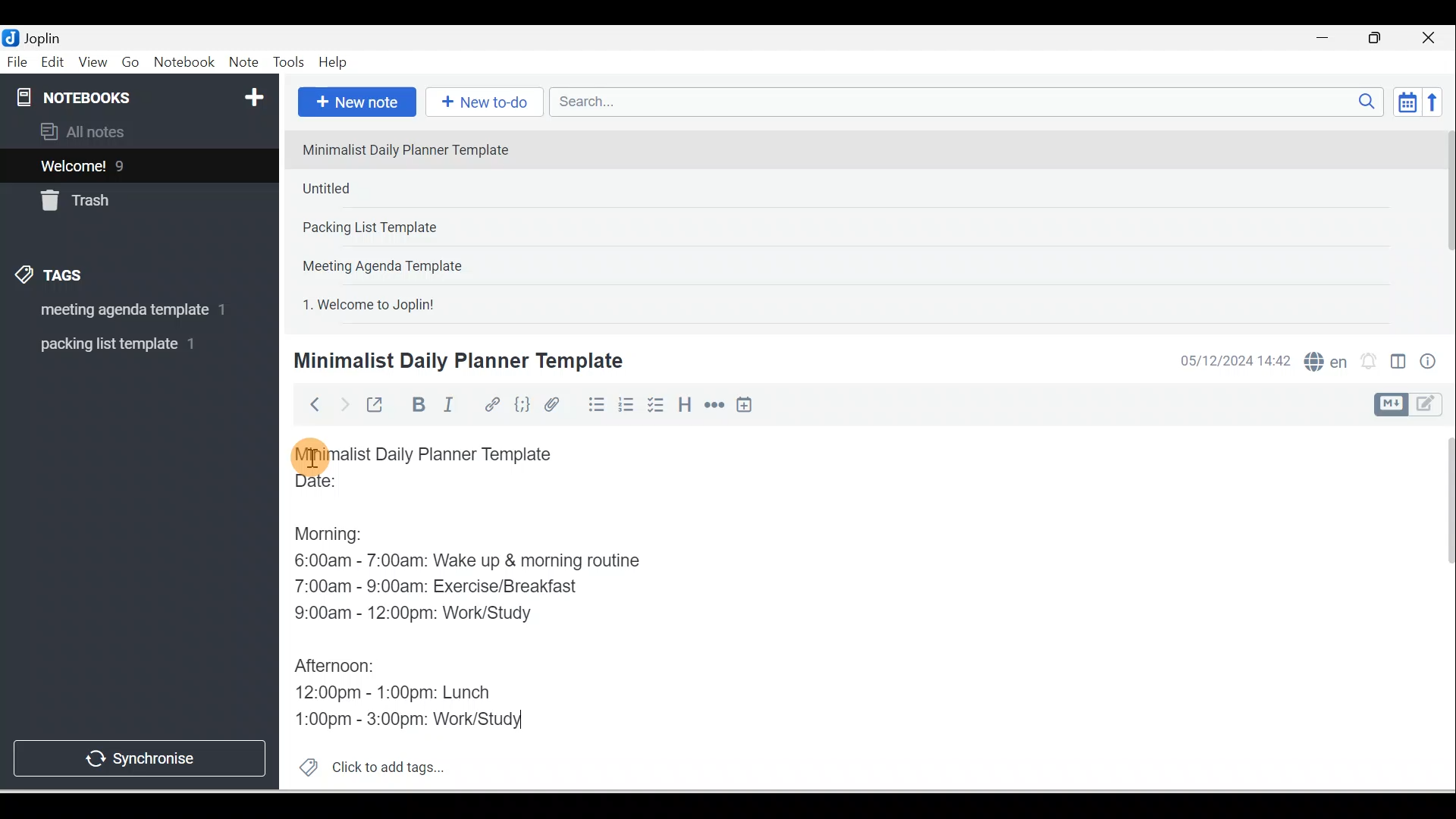  I want to click on Edit, so click(54, 63).